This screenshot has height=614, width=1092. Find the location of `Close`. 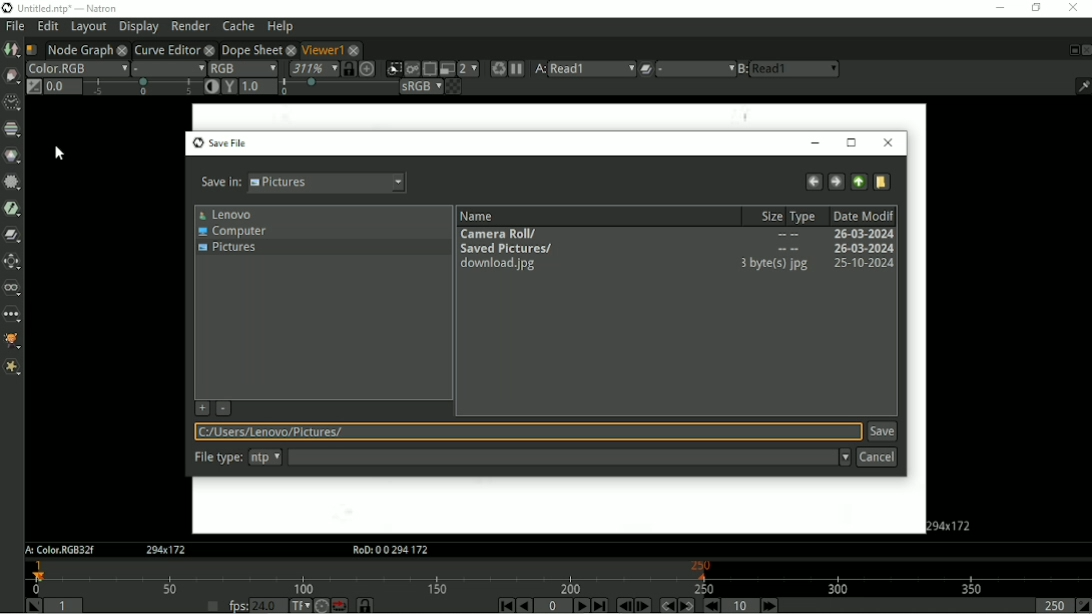

Close is located at coordinates (1086, 50).